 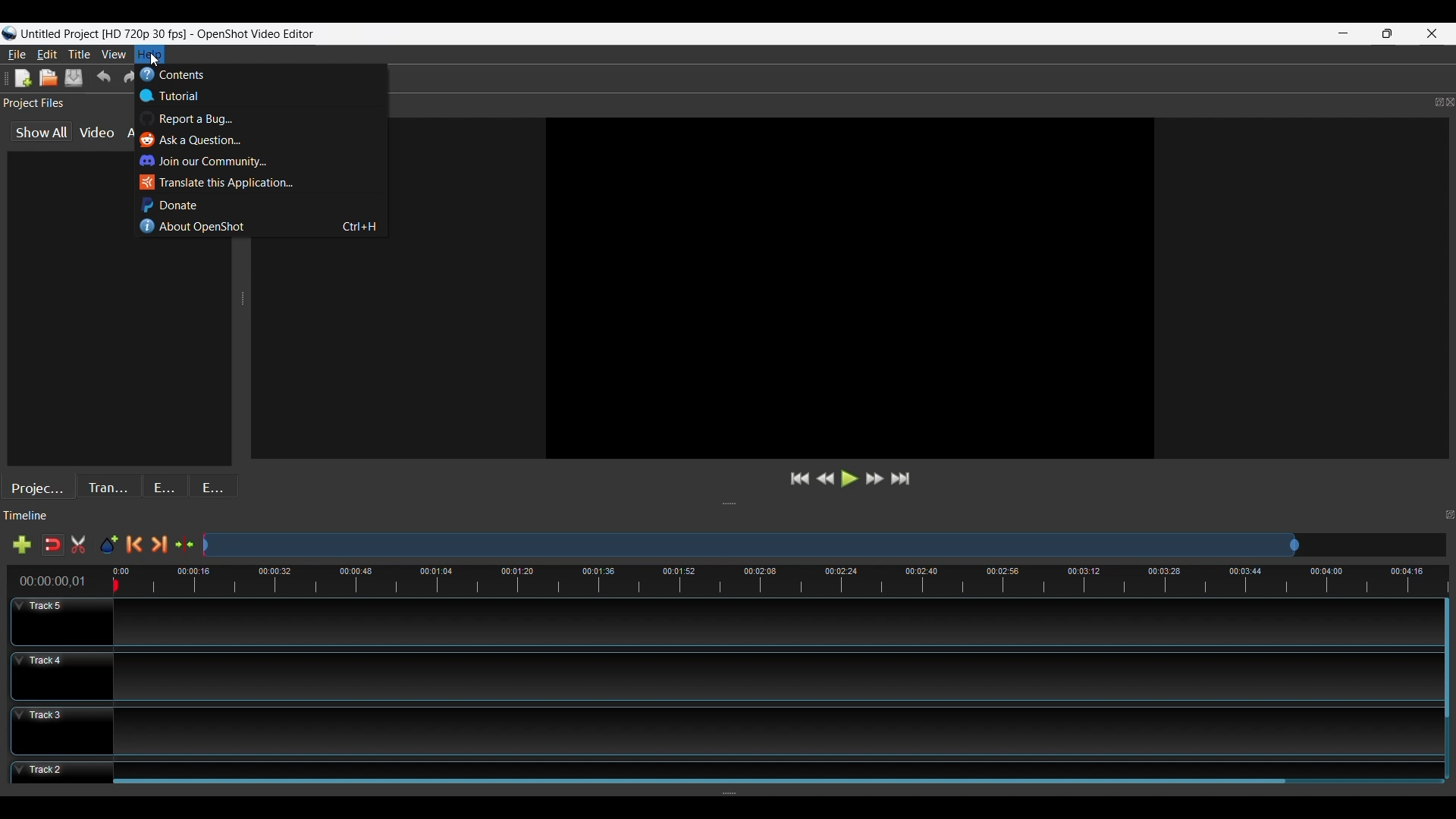 I want to click on Ask a question, so click(x=196, y=140).